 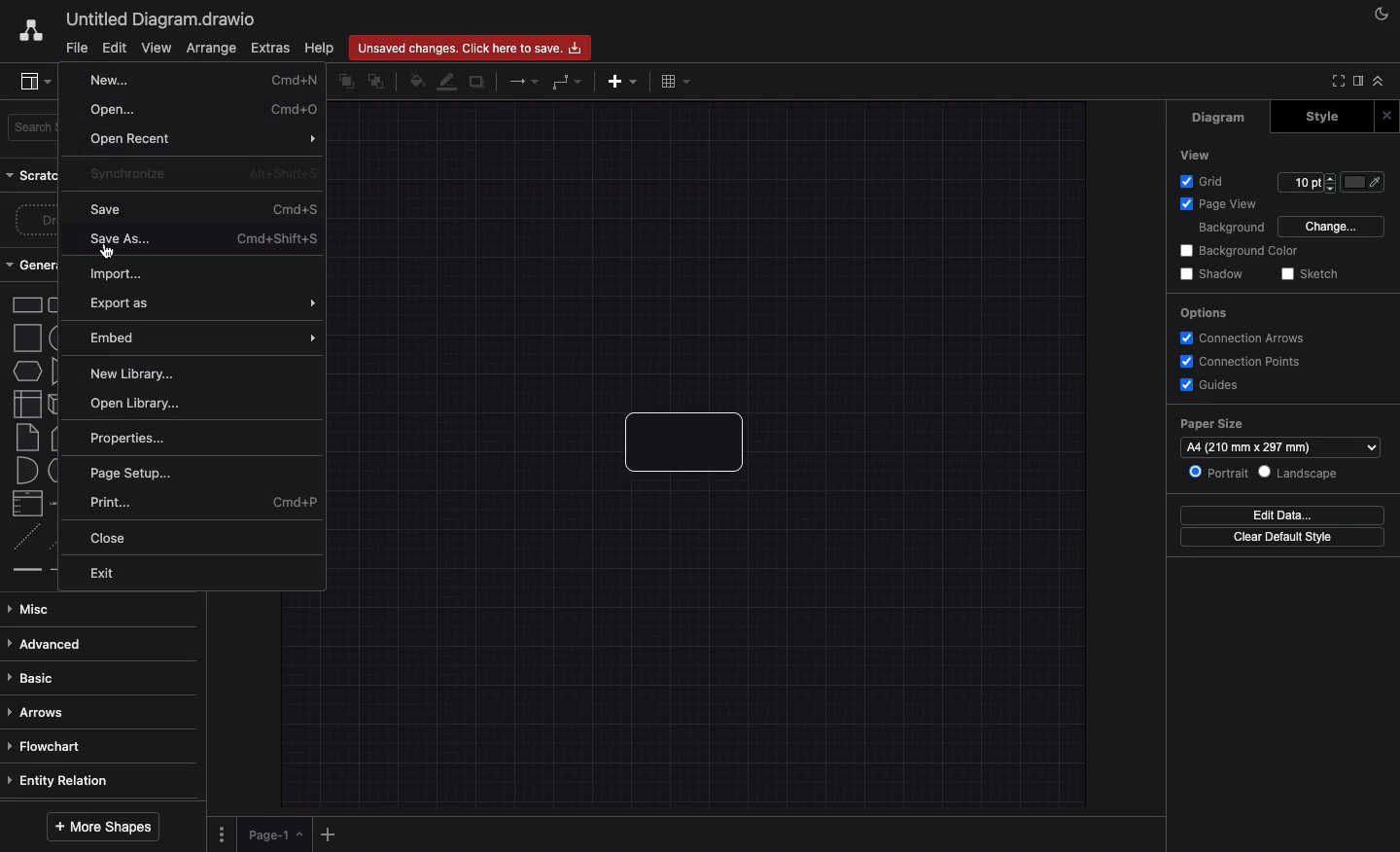 What do you see at coordinates (1381, 14) in the screenshot?
I see `Night mode` at bounding box center [1381, 14].